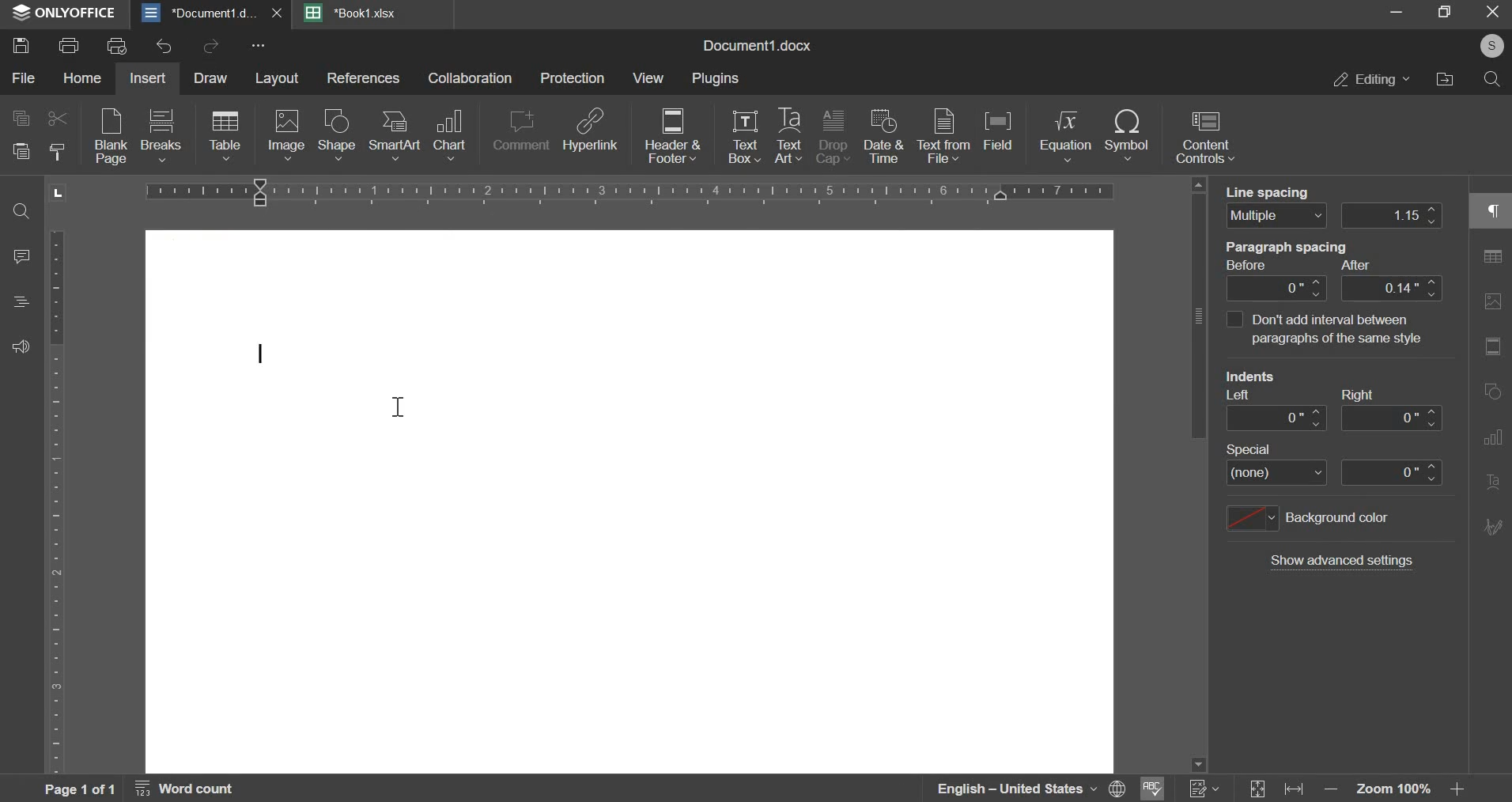 The width and height of the screenshot is (1512, 802). Describe the element at coordinates (1308, 519) in the screenshot. I see `background color` at that location.